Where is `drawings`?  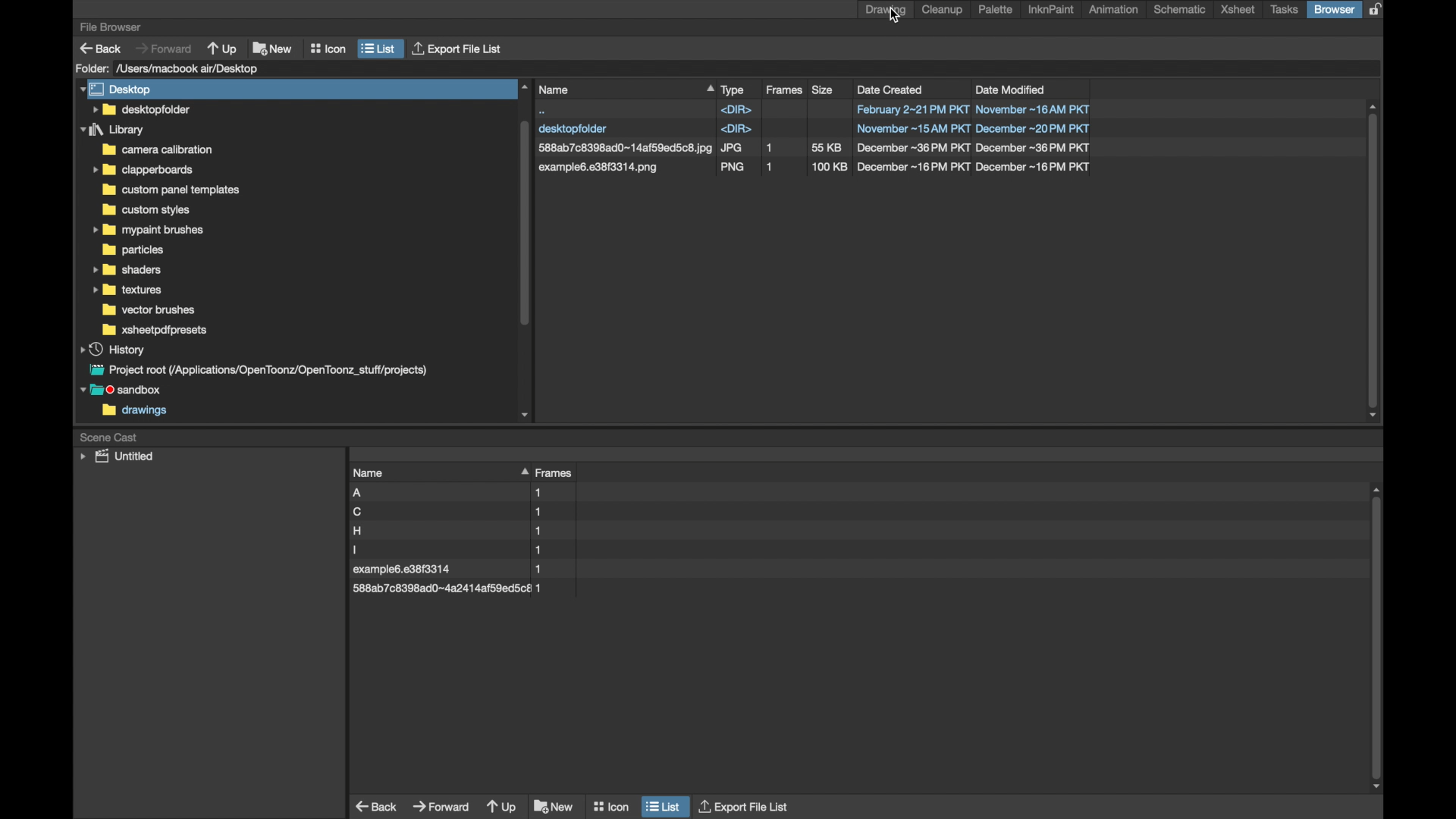
drawings is located at coordinates (135, 412).